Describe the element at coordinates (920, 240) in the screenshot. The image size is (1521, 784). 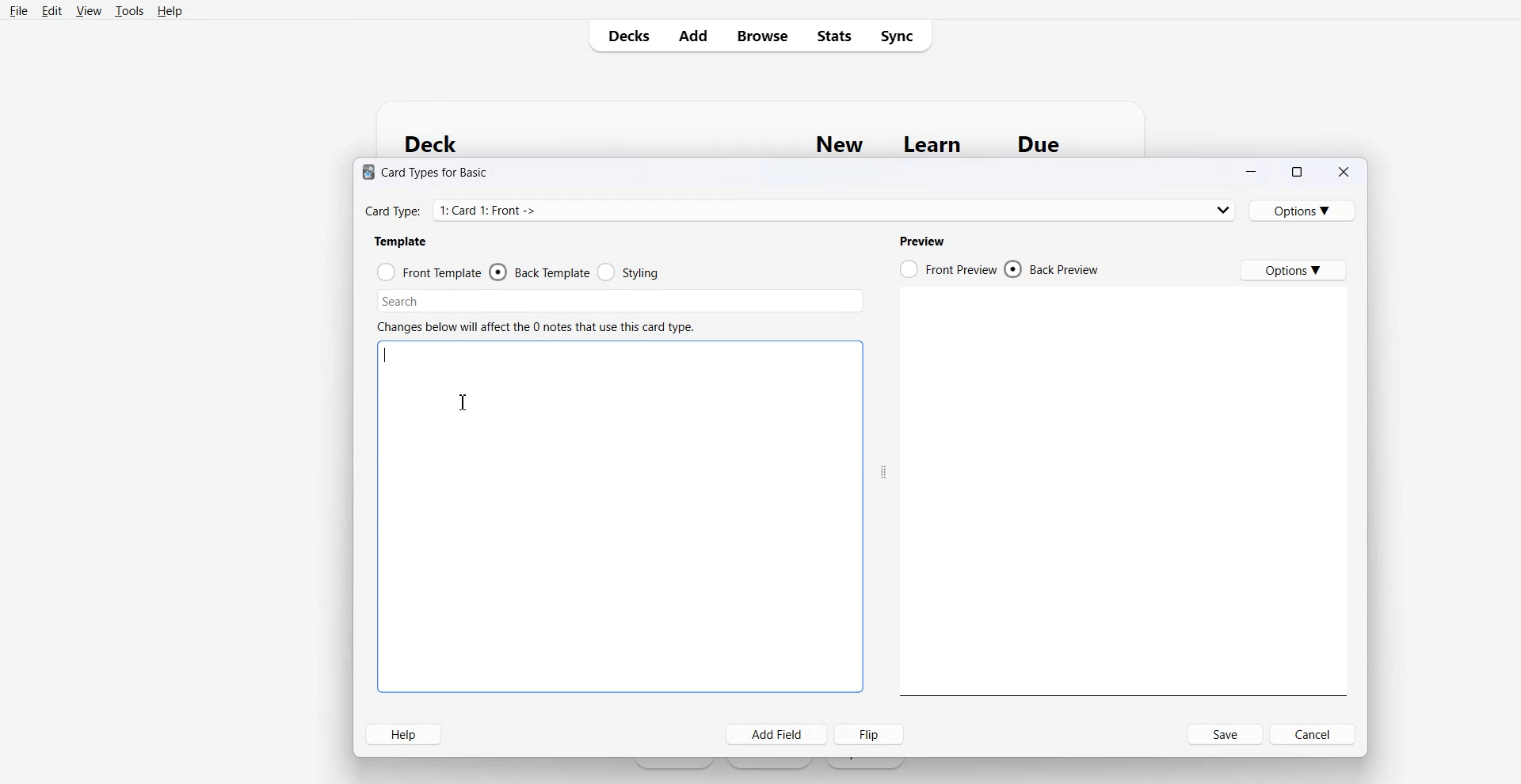
I see `Preview` at that location.